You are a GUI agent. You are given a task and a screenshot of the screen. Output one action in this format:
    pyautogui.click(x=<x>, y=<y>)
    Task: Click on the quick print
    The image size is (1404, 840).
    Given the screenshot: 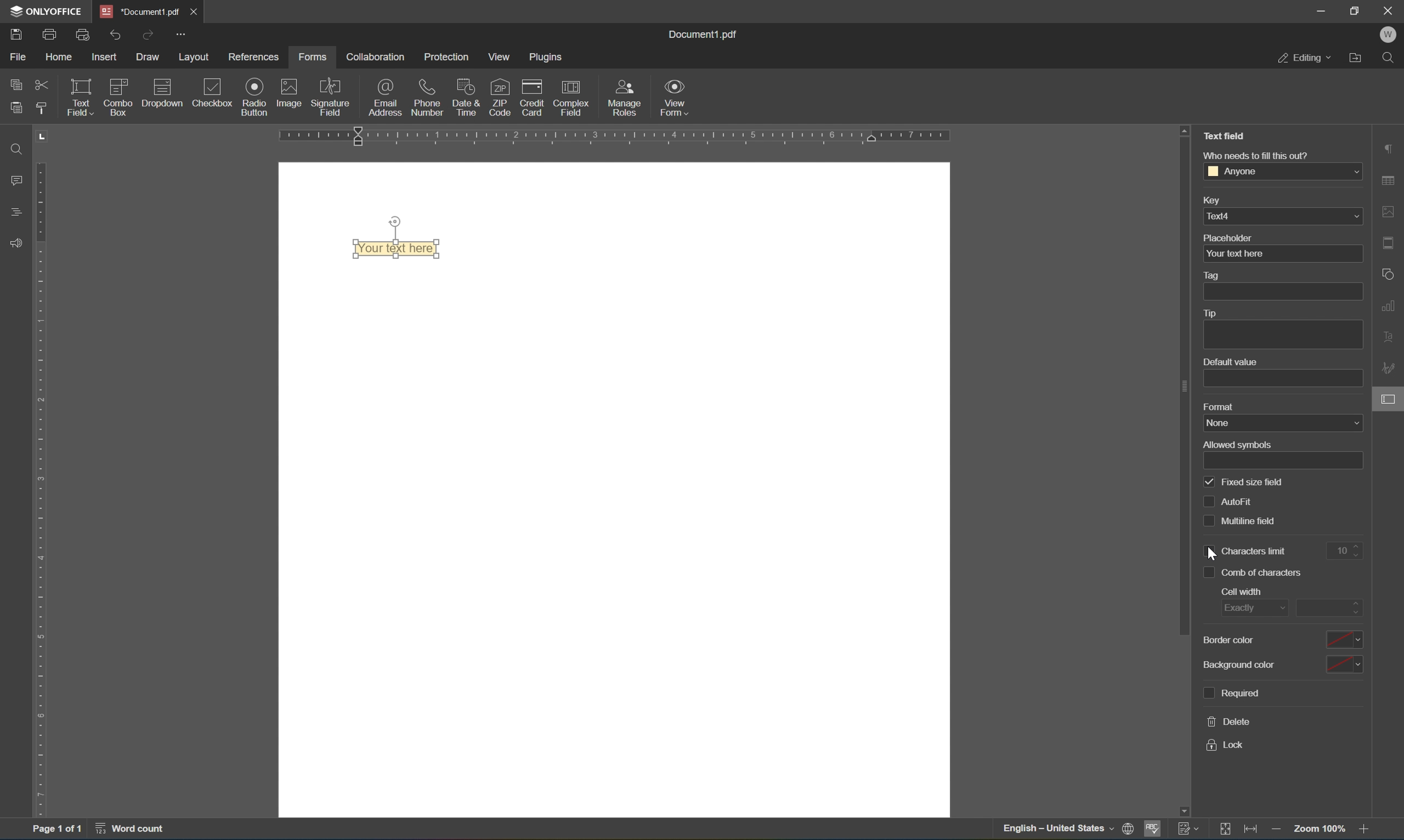 What is the action you would take?
    pyautogui.click(x=81, y=34)
    